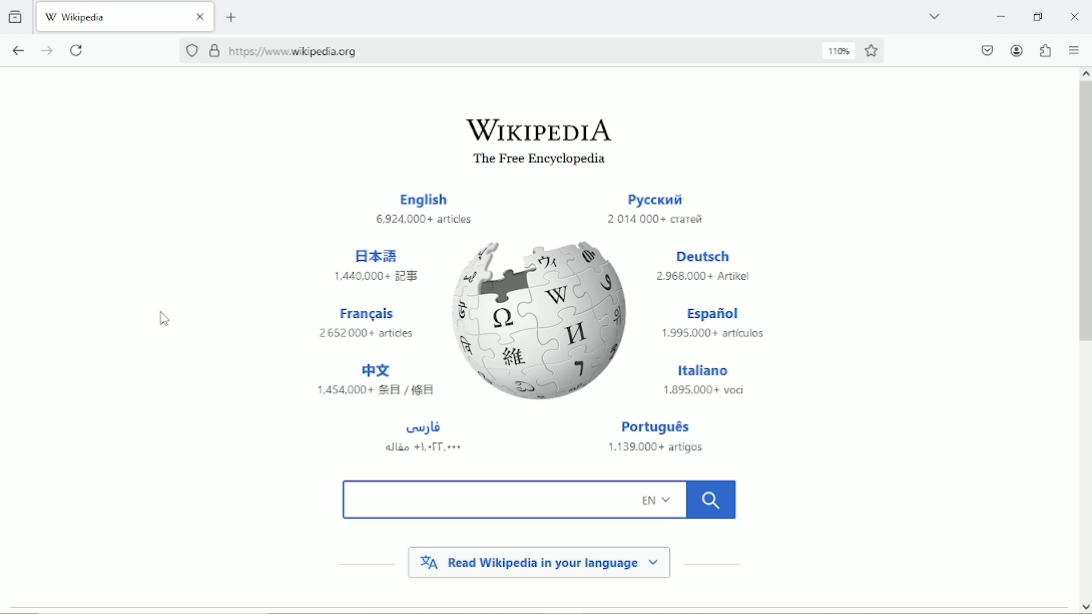 This screenshot has height=614, width=1092. Describe the element at coordinates (538, 502) in the screenshot. I see `search` at that location.